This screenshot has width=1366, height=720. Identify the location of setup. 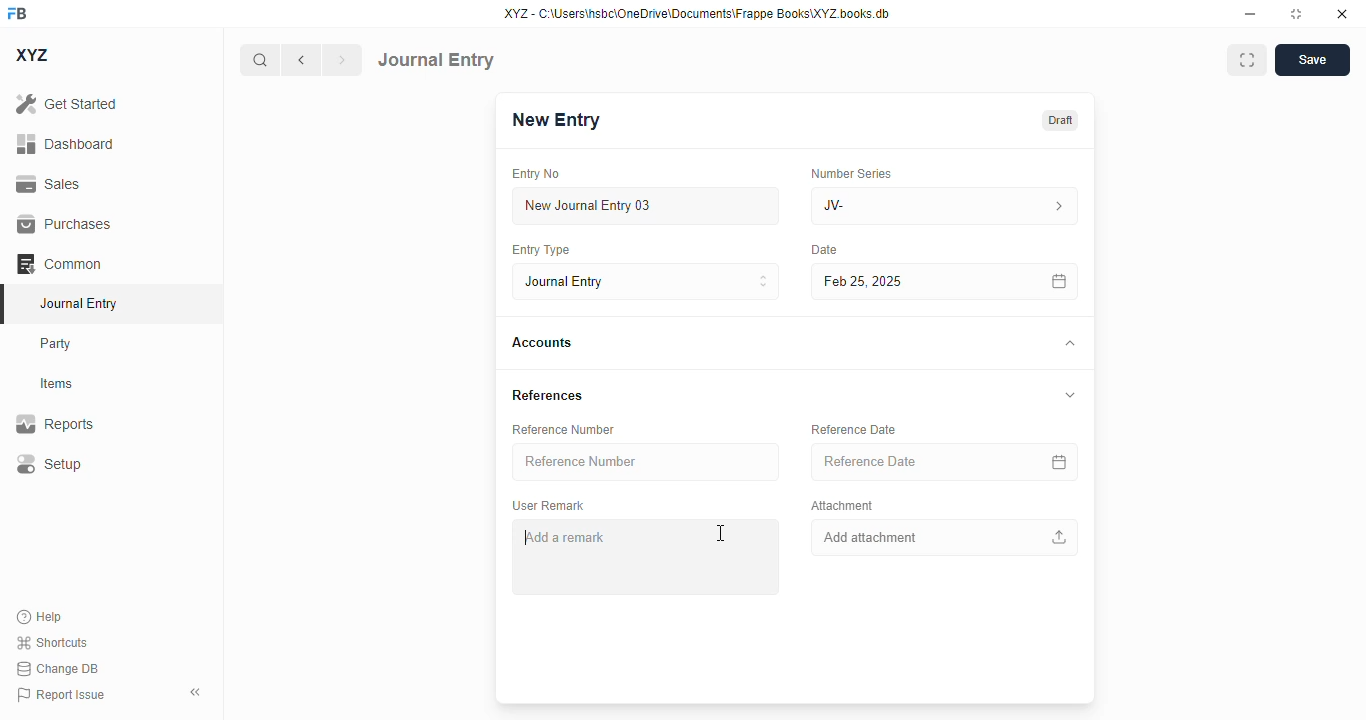
(48, 463).